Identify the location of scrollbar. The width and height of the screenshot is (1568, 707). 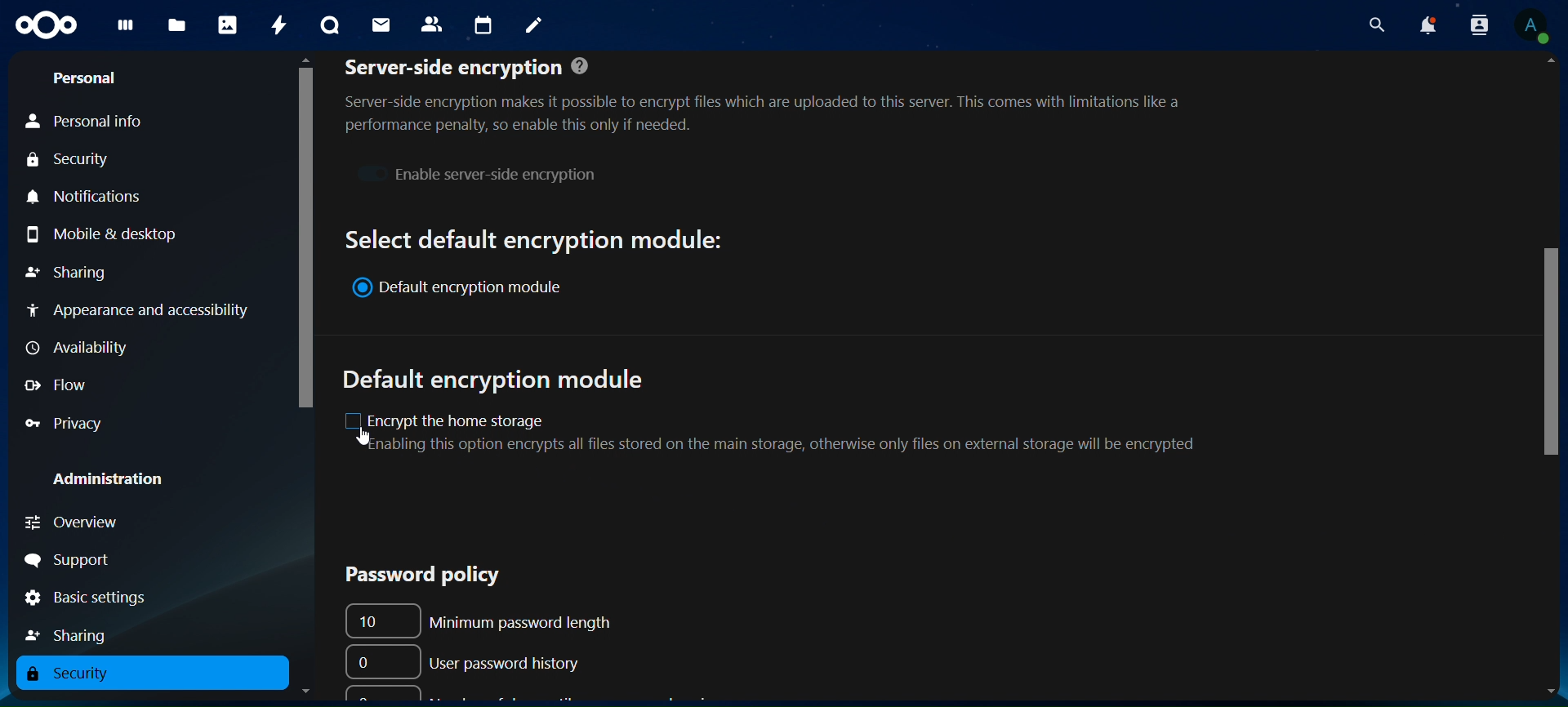
(1547, 357).